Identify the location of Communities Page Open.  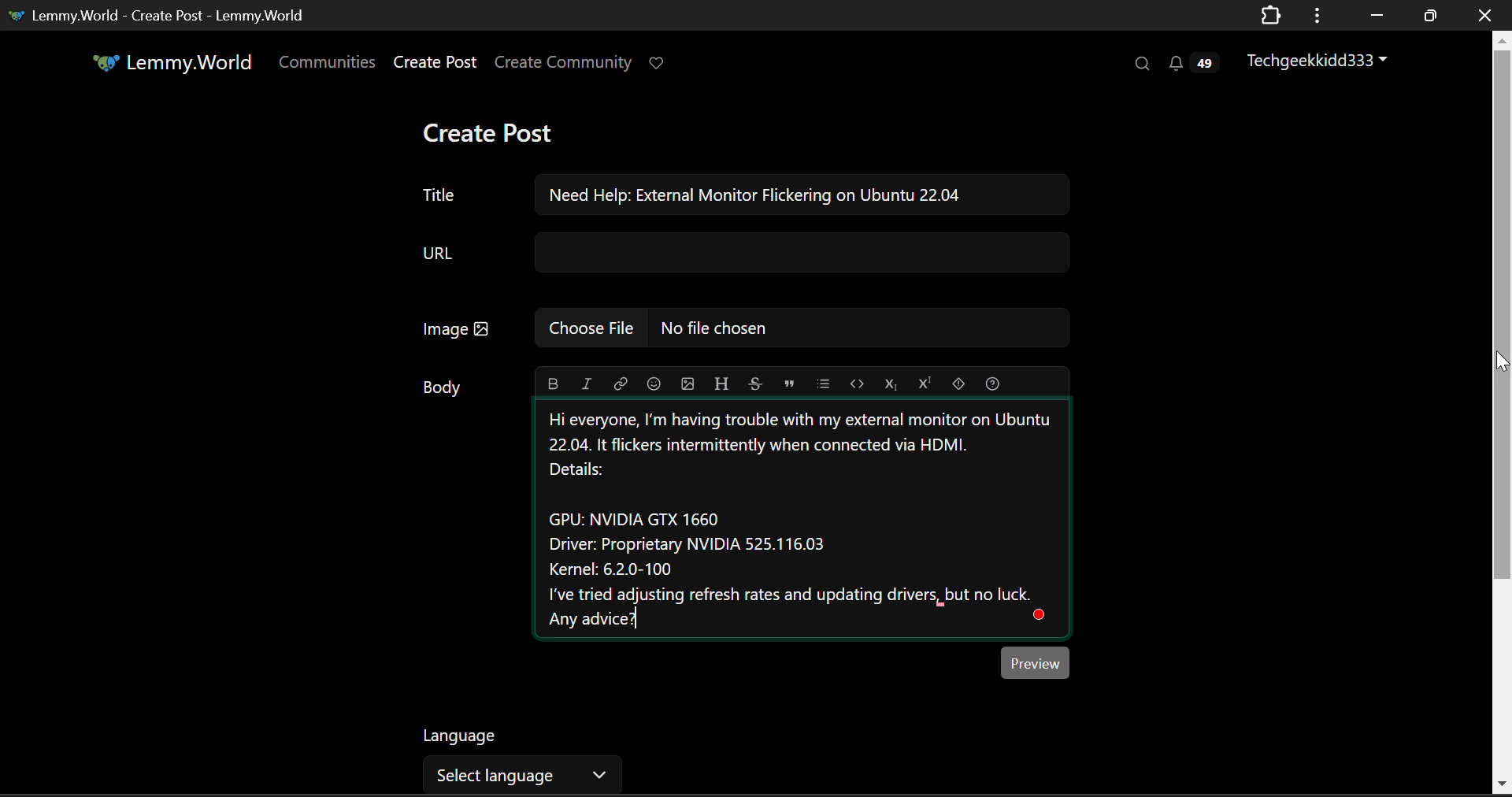
(329, 61).